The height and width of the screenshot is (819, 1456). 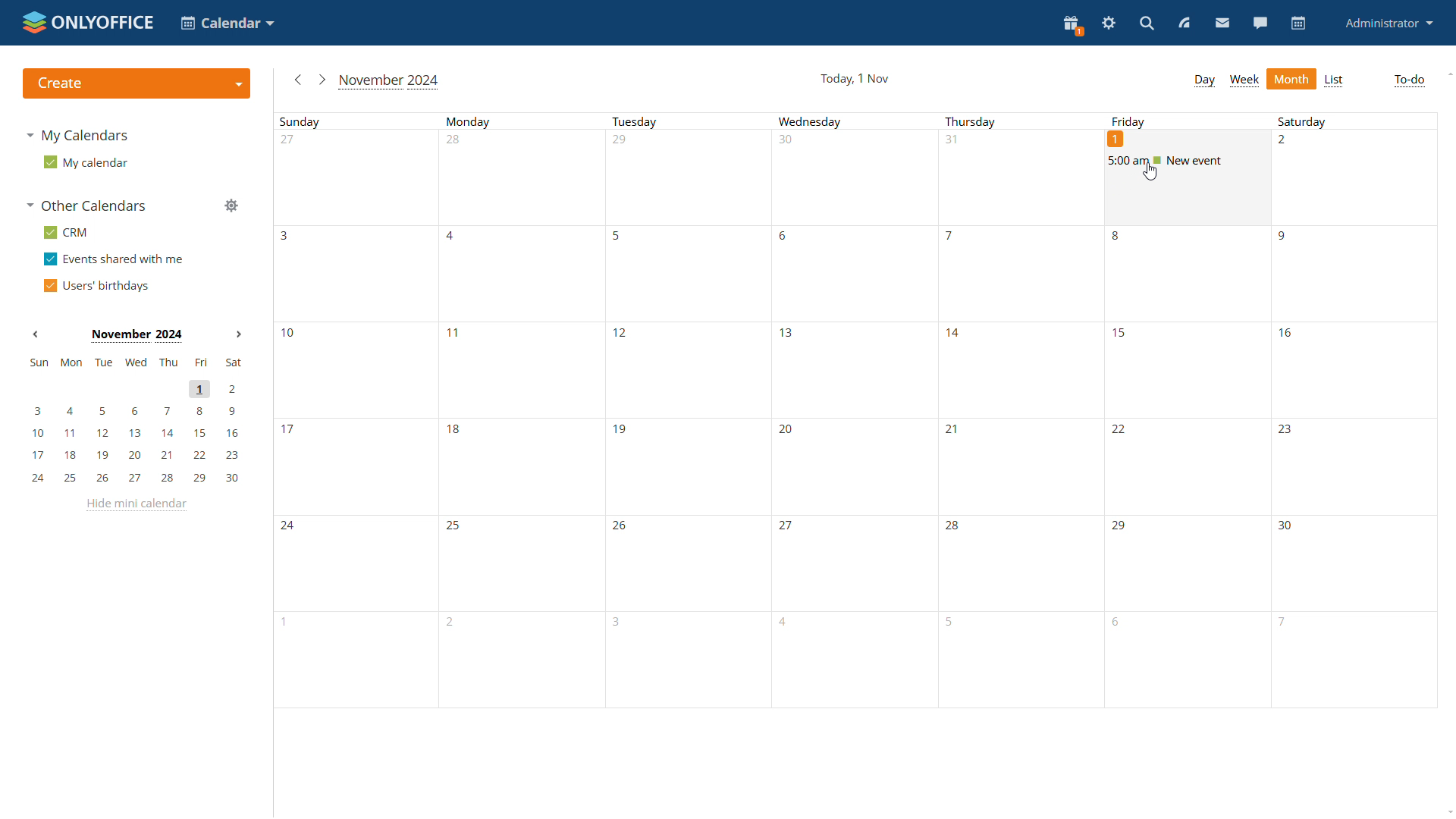 What do you see at coordinates (1150, 172) in the screenshot?
I see `cursor` at bounding box center [1150, 172].